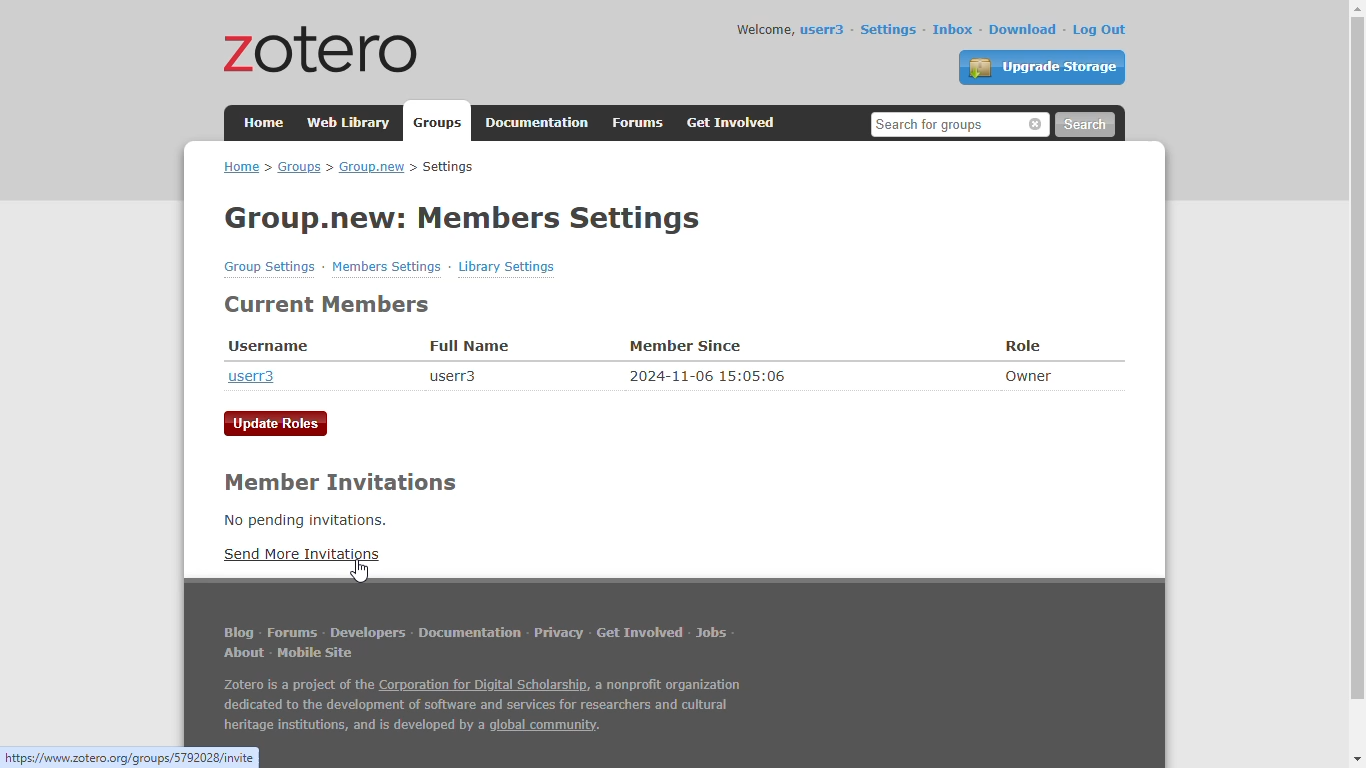 The image size is (1366, 768). I want to click on forums, so click(639, 123).